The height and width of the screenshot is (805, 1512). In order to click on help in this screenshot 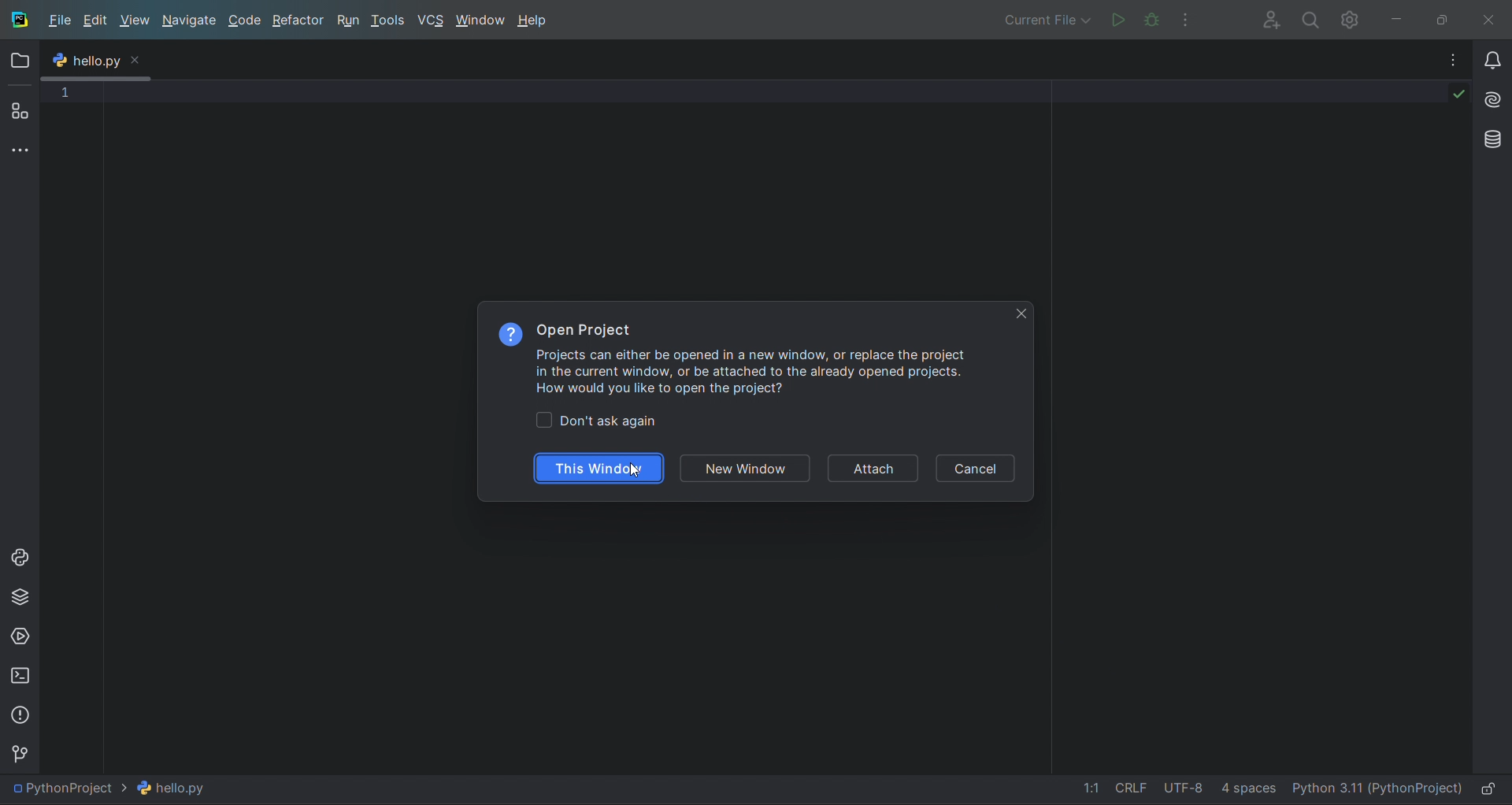, I will do `click(539, 20)`.